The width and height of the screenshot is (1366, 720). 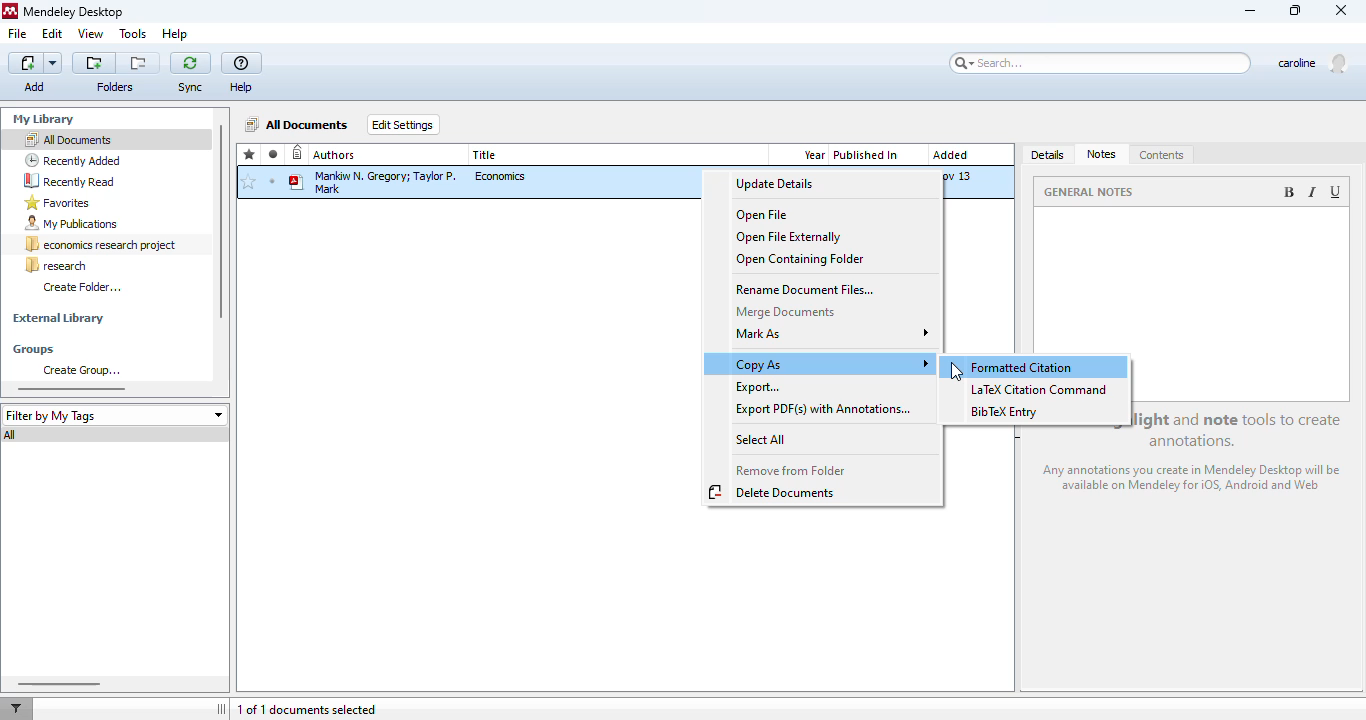 What do you see at coordinates (807, 290) in the screenshot?
I see `rename document files` at bounding box center [807, 290].